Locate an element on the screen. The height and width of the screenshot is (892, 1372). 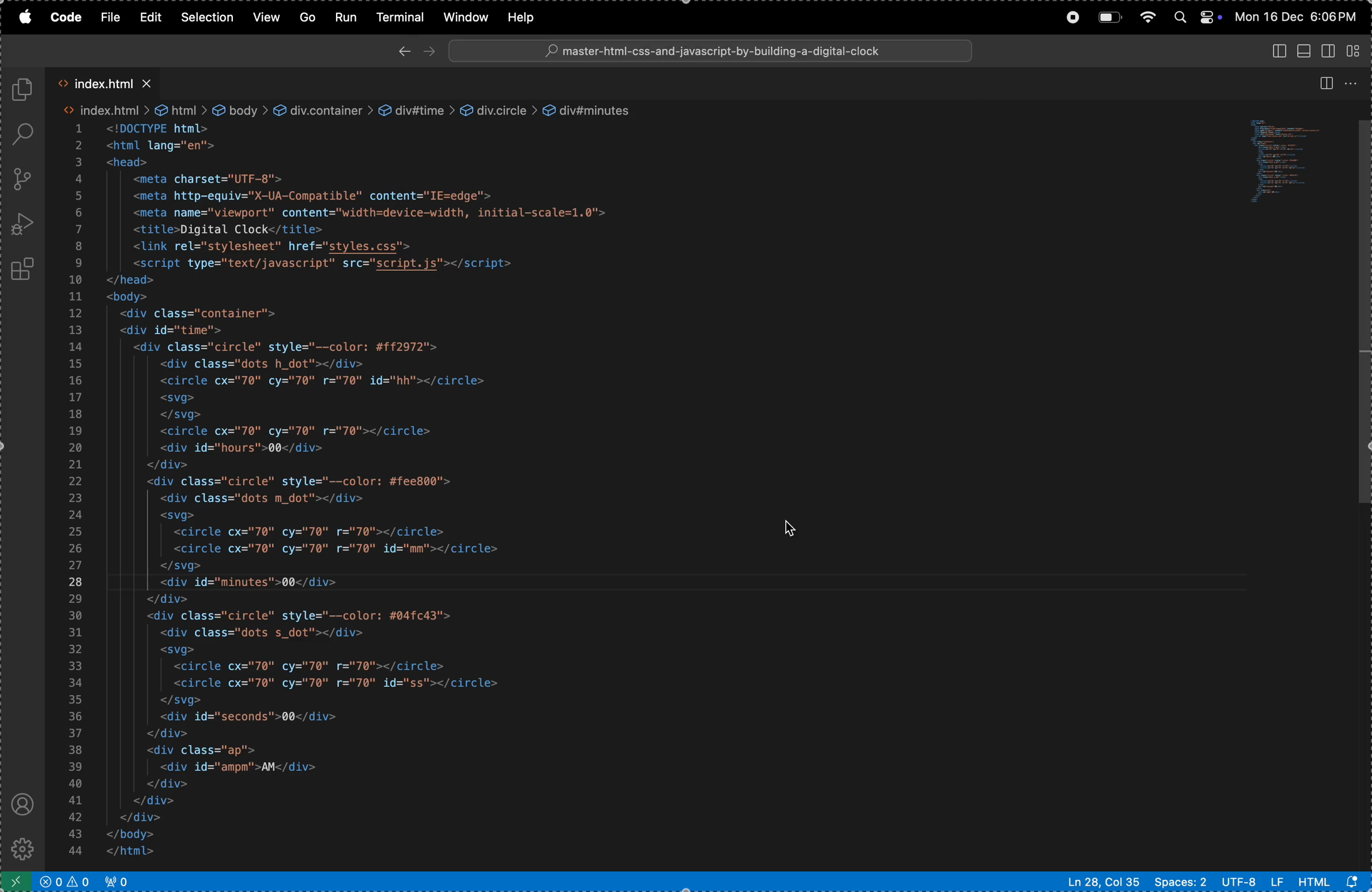
settings is located at coordinates (24, 851).